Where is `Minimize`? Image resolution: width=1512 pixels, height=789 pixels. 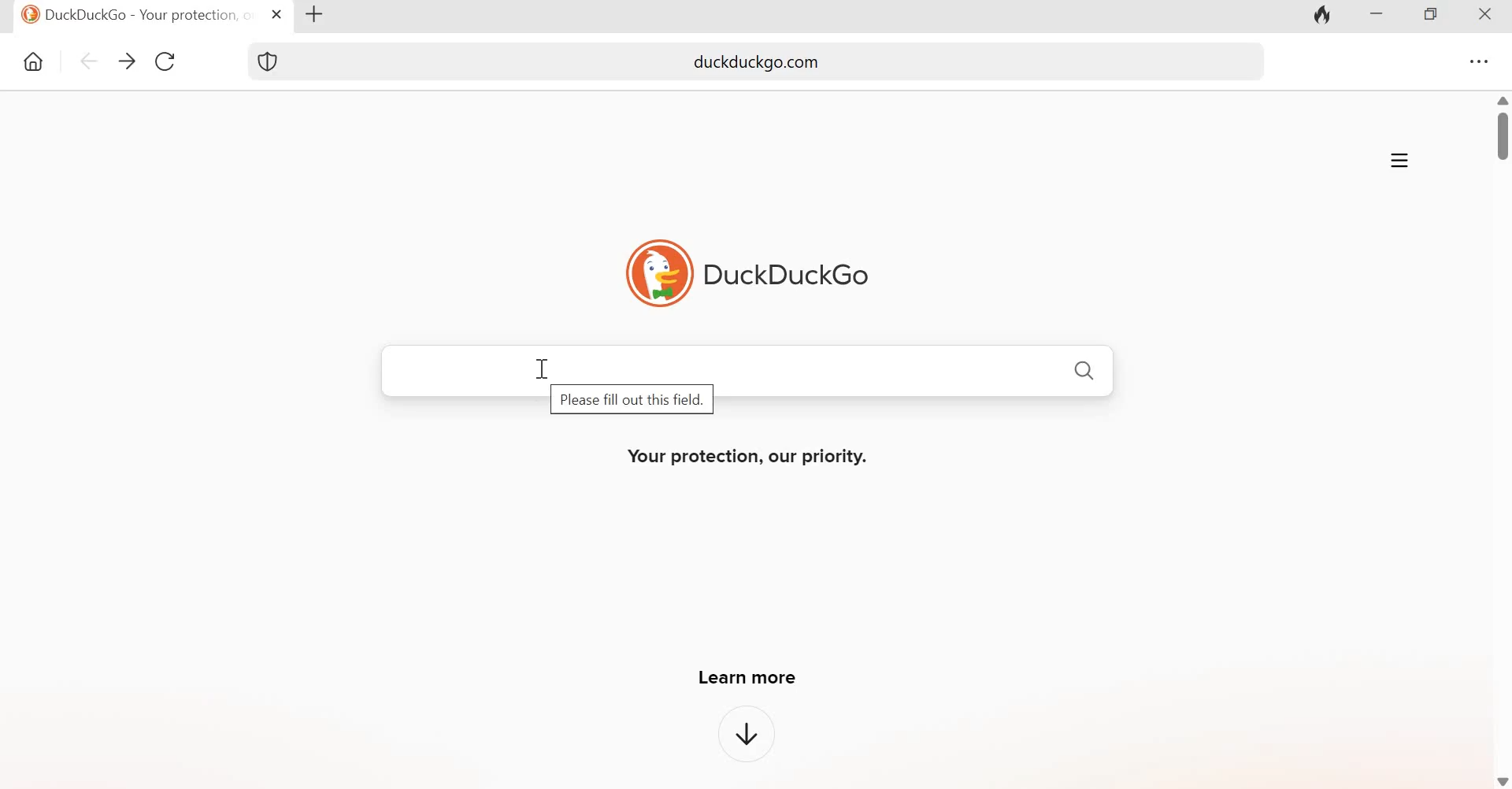 Minimize is located at coordinates (1381, 17).